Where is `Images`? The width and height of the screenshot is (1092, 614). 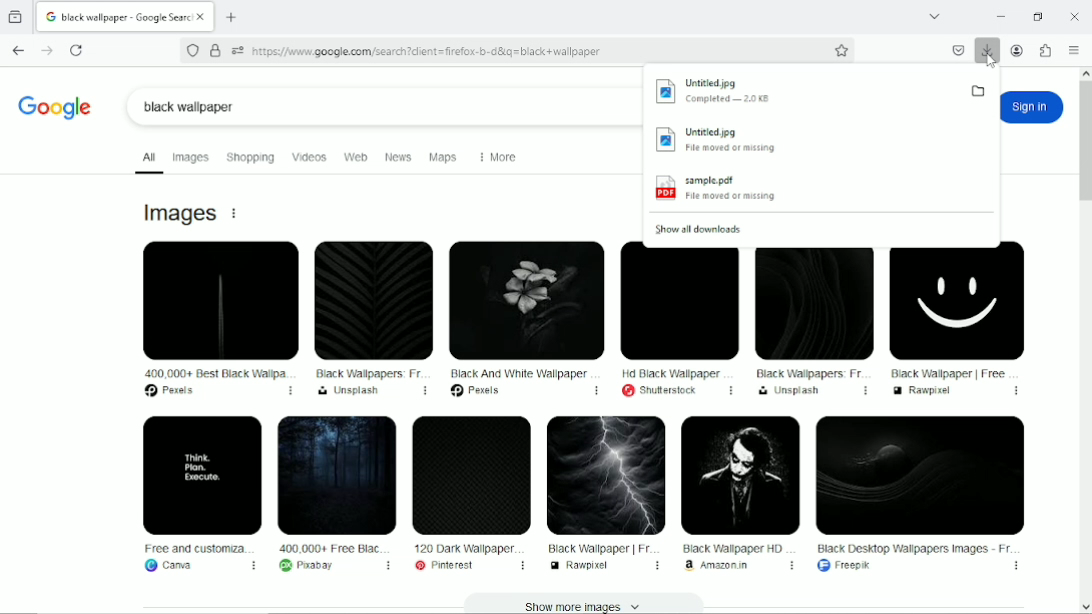
Images is located at coordinates (180, 212).